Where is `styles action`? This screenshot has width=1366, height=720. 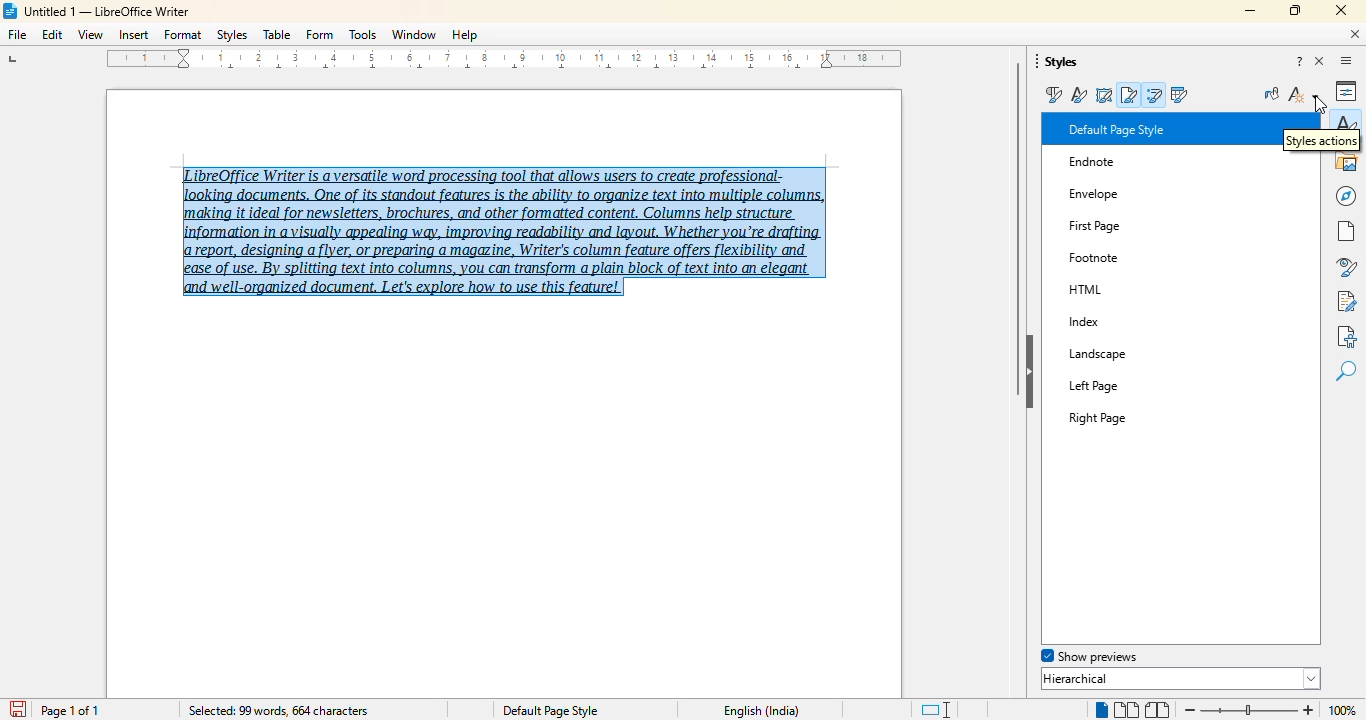 styles action is located at coordinates (1305, 94).